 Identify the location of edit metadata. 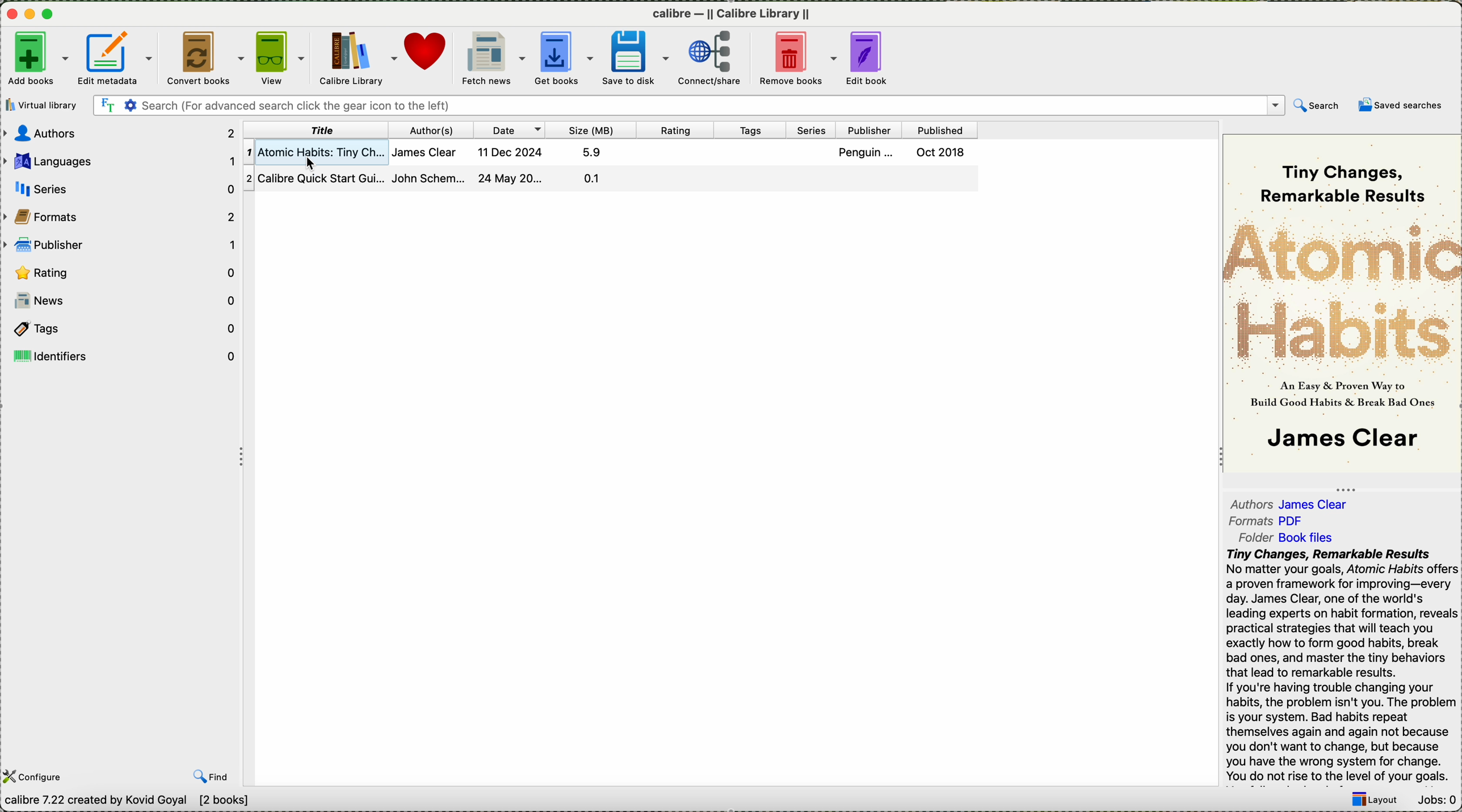
(117, 58).